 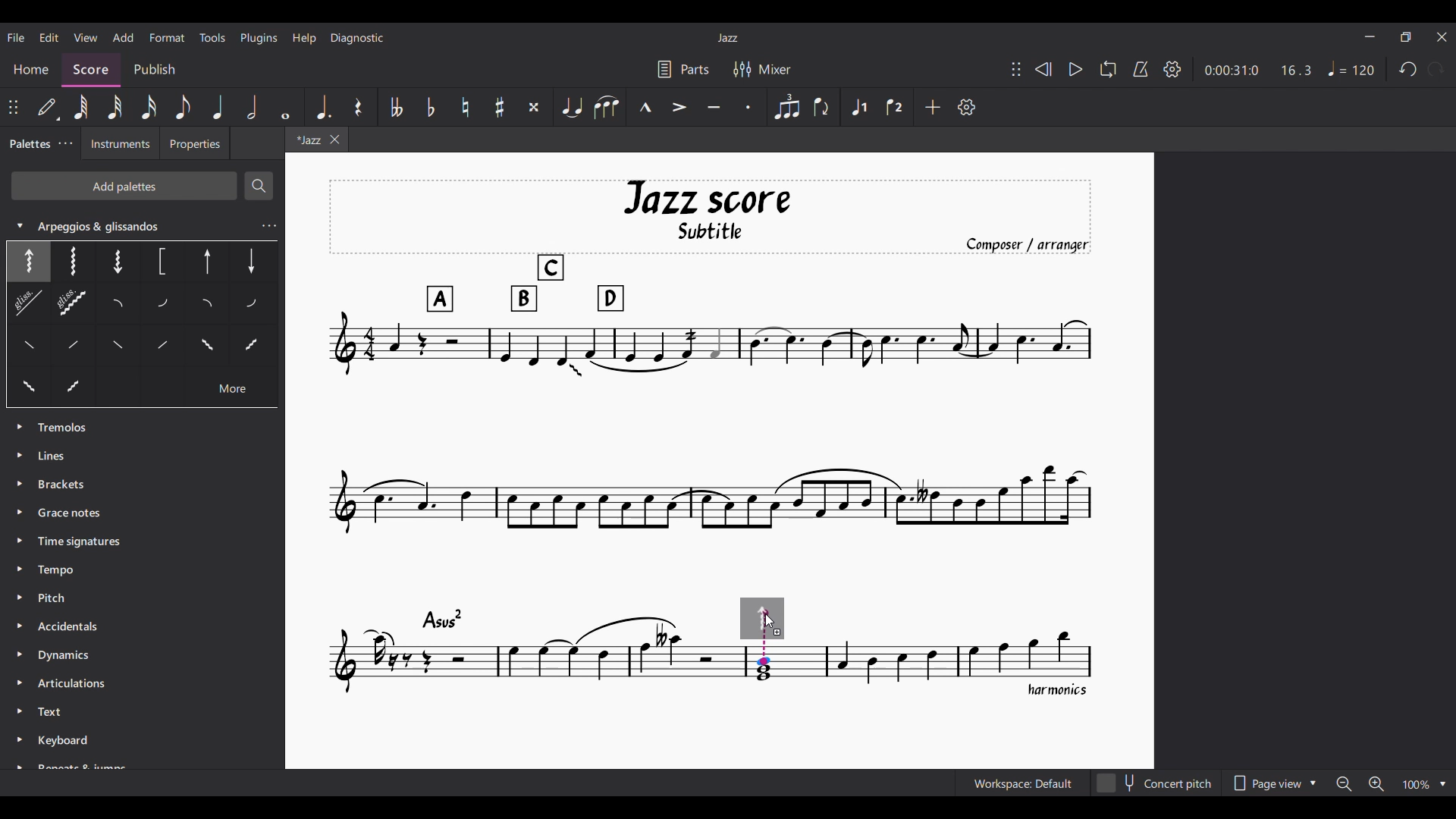 What do you see at coordinates (218, 107) in the screenshot?
I see `Quarter note` at bounding box center [218, 107].